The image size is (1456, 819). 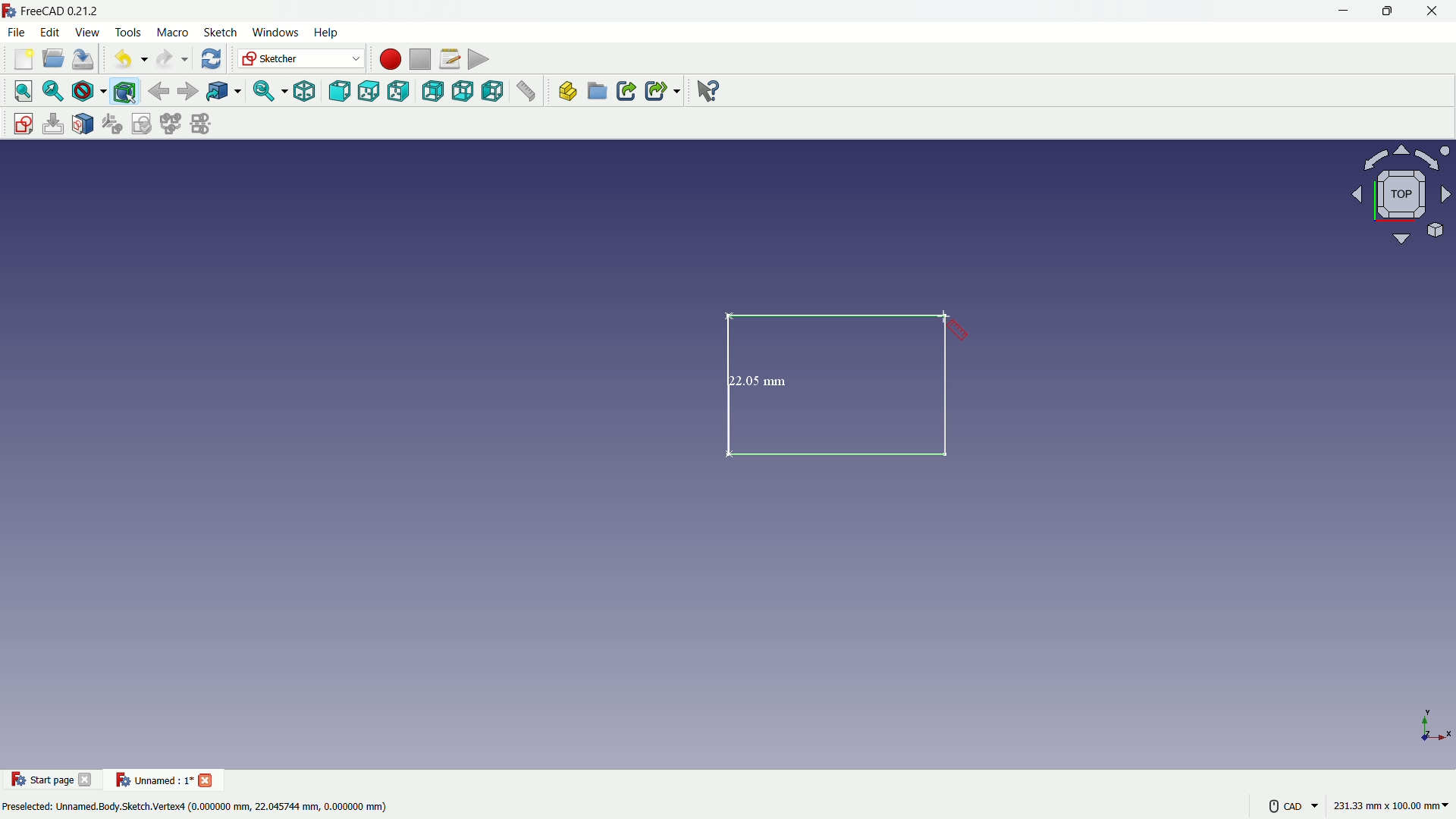 What do you see at coordinates (1341, 11) in the screenshot?
I see `minimize` at bounding box center [1341, 11].